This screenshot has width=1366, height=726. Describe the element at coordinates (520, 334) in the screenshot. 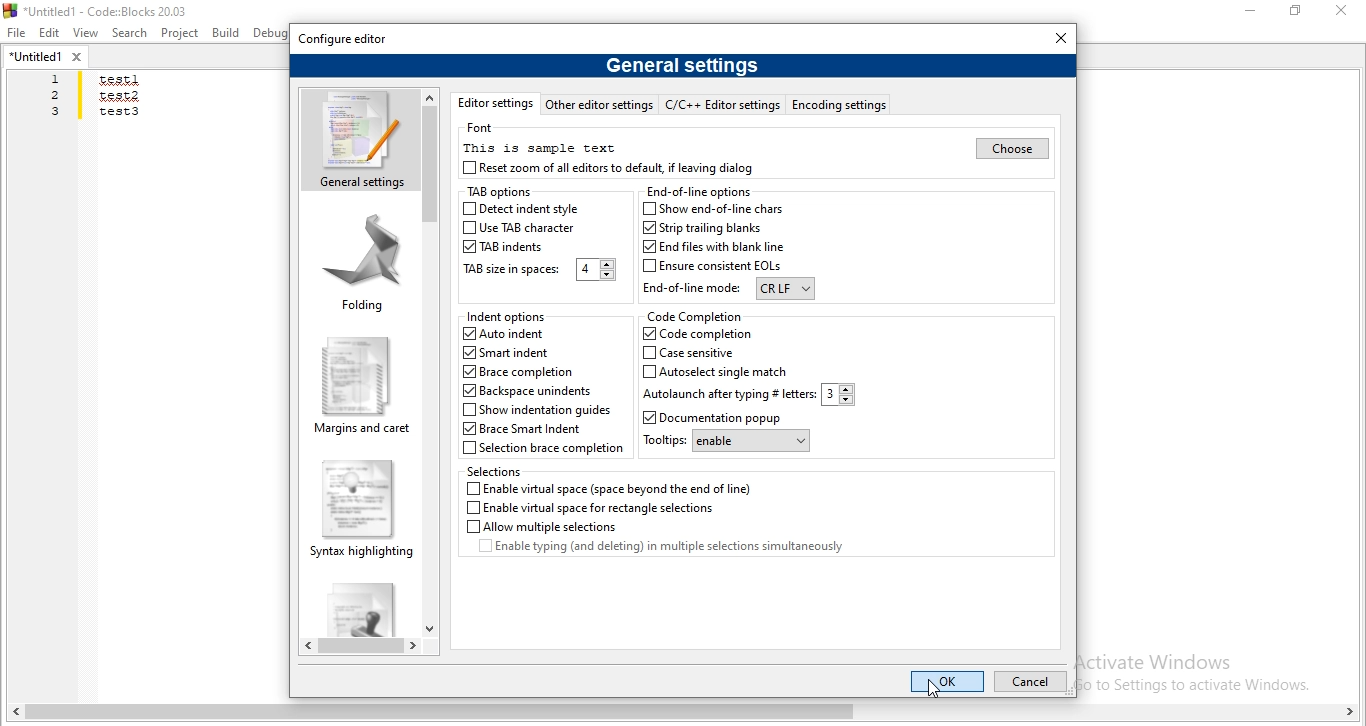

I see `Auto indent` at that location.